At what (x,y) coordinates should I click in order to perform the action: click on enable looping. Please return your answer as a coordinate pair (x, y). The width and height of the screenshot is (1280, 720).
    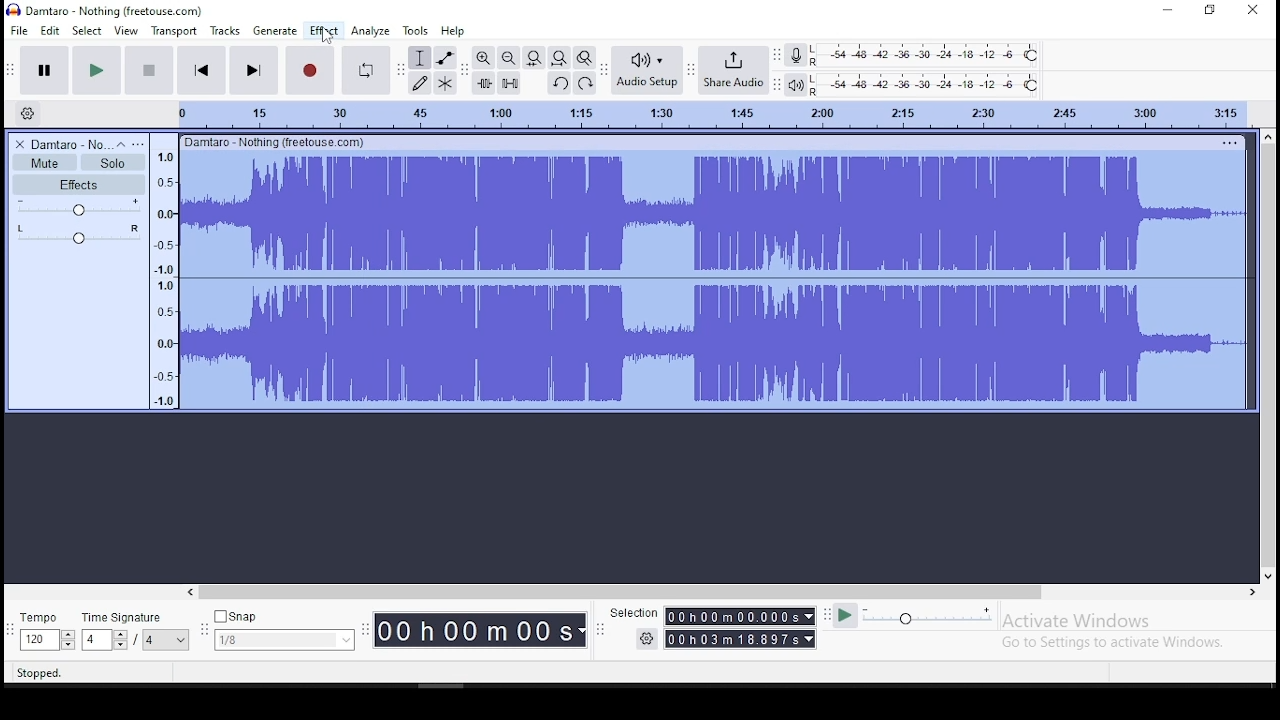
    Looking at the image, I should click on (364, 71).